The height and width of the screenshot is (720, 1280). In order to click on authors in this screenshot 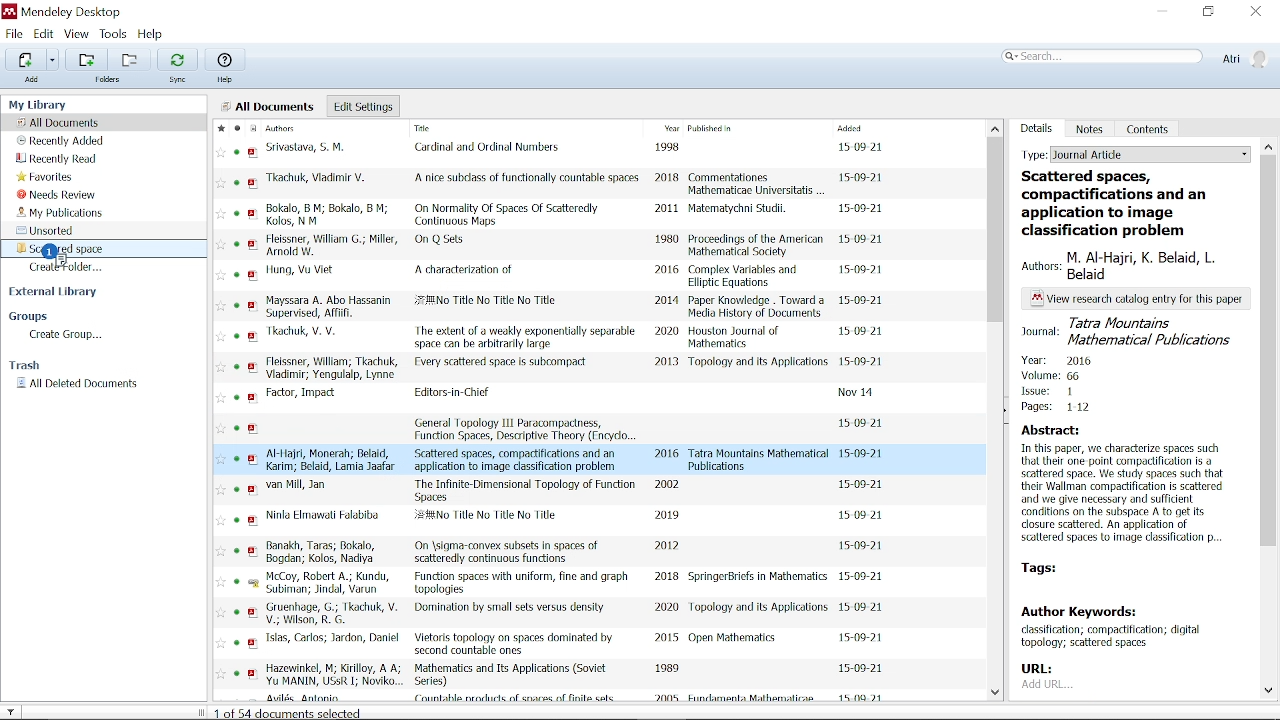, I will do `click(329, 243)`.